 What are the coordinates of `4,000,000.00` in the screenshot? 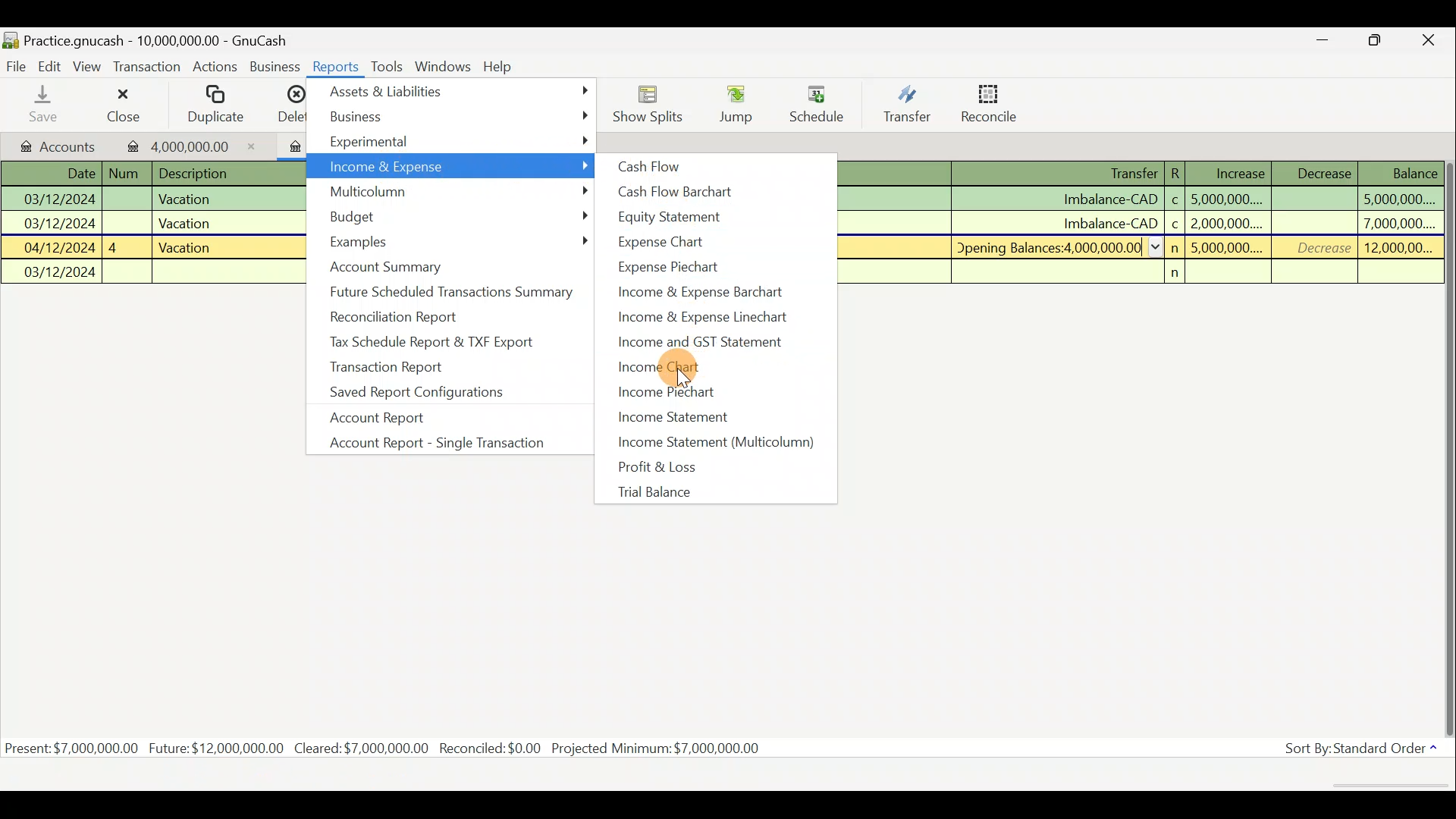 It's located at (198, 145).